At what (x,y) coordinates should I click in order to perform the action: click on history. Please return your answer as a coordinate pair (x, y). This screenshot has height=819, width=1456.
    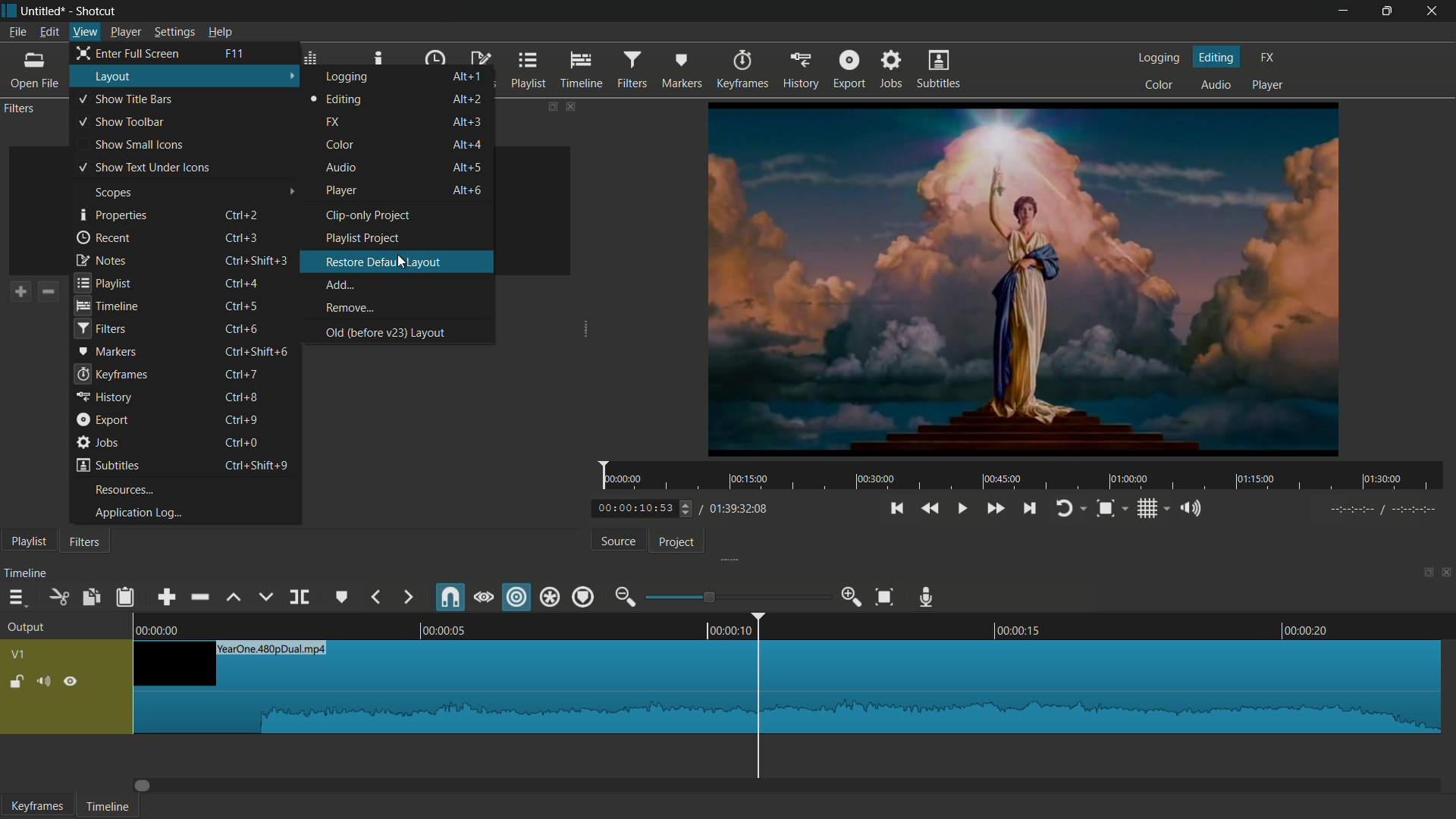
    Looking at the image, I should click on (802, 70).